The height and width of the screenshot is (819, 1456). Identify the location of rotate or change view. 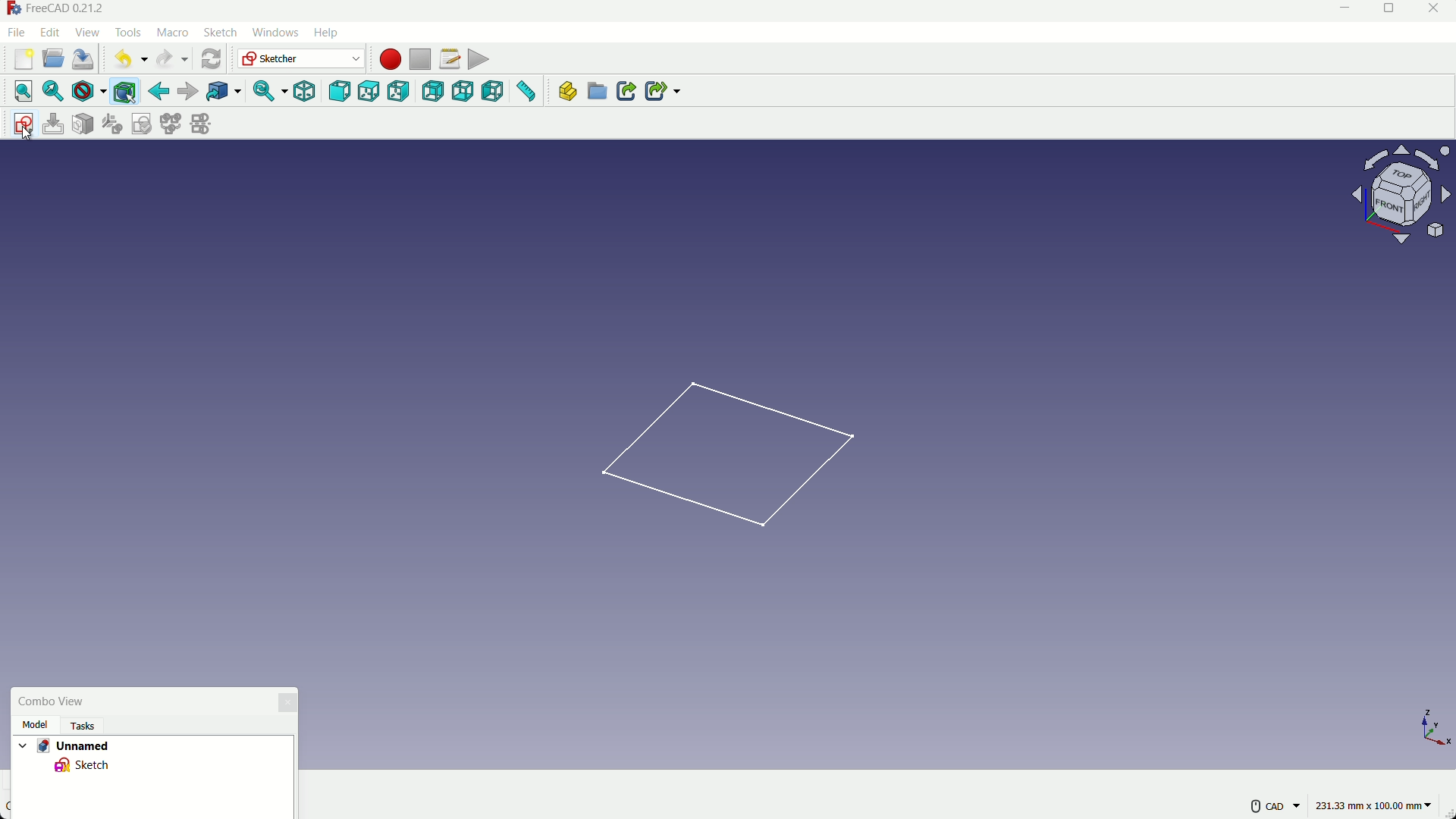
(1403, 193).